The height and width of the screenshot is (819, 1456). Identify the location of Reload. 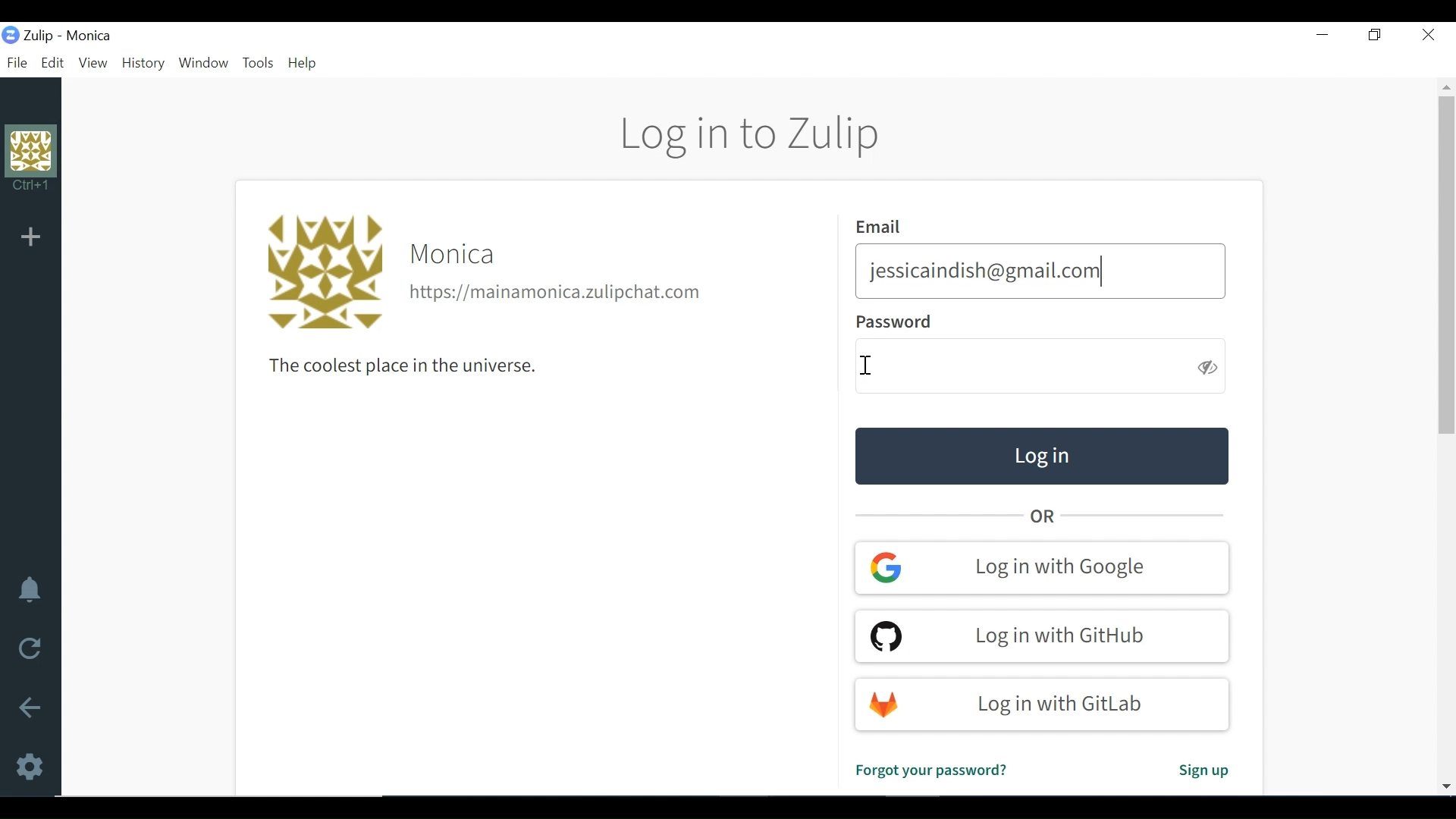
(25, 649).